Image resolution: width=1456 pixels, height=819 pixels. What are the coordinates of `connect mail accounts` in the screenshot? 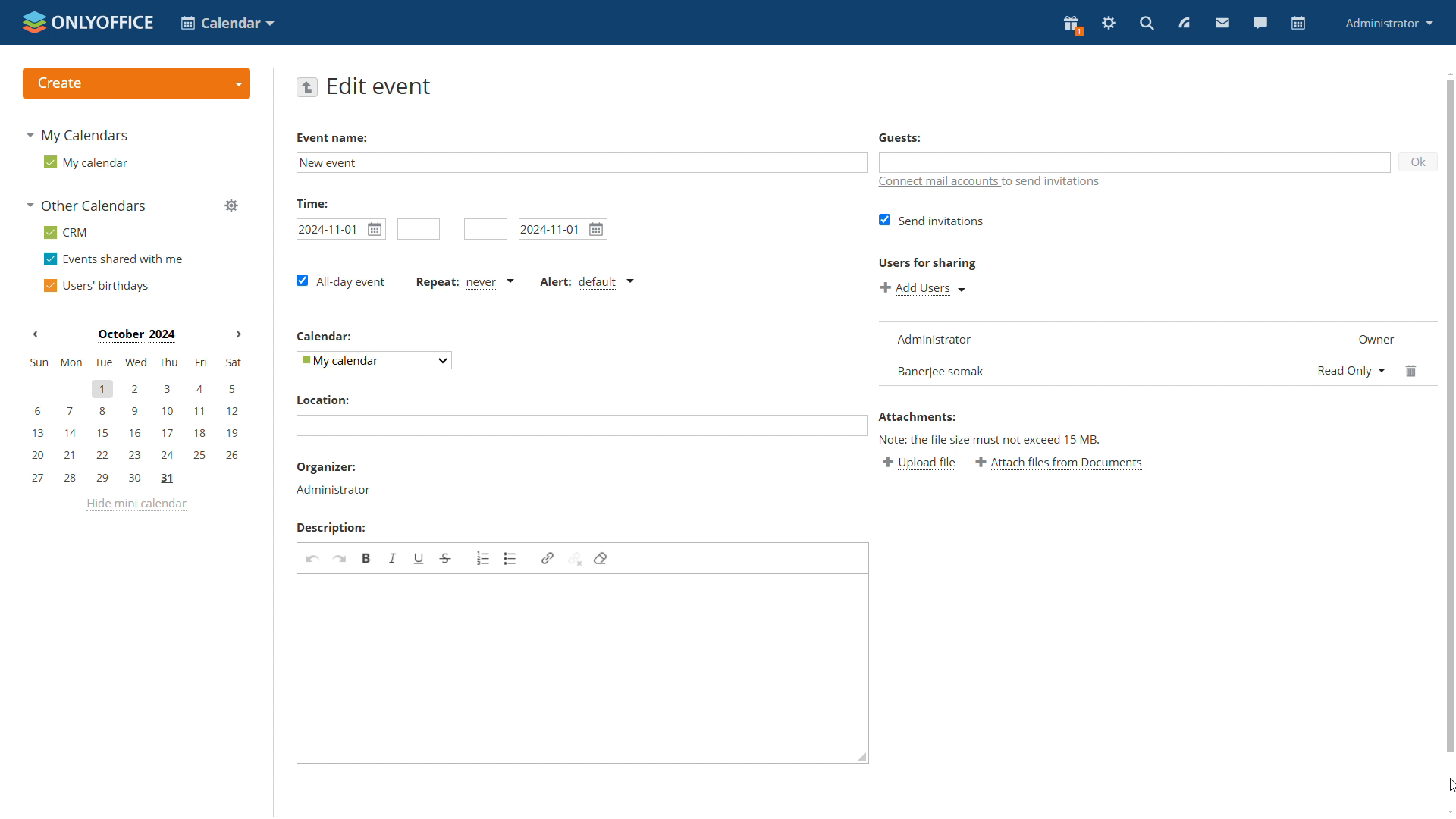 It's located at (937, 184).